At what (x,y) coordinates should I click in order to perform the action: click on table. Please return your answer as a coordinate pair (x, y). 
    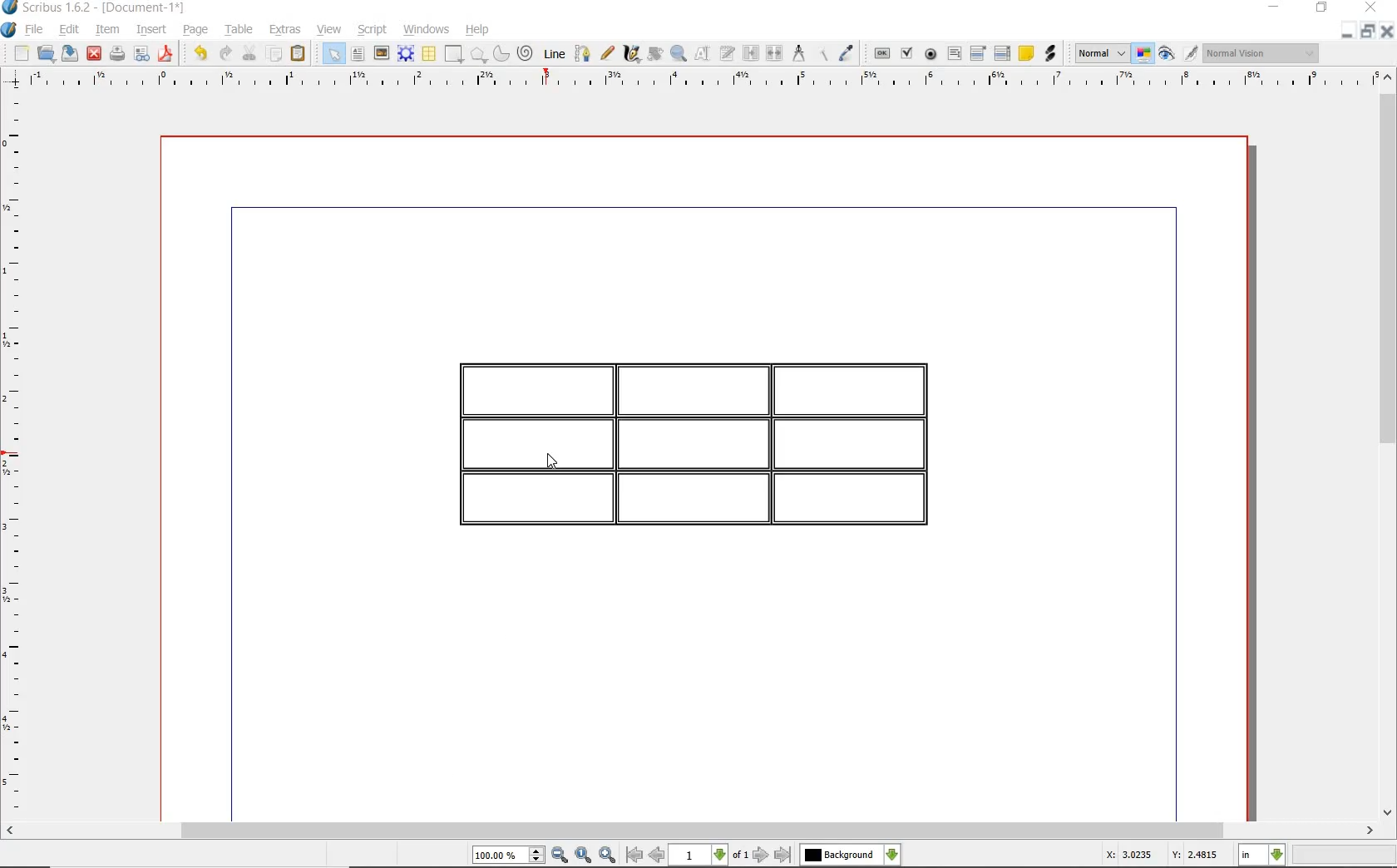
    Looking at the image, I should click on (239, 30).